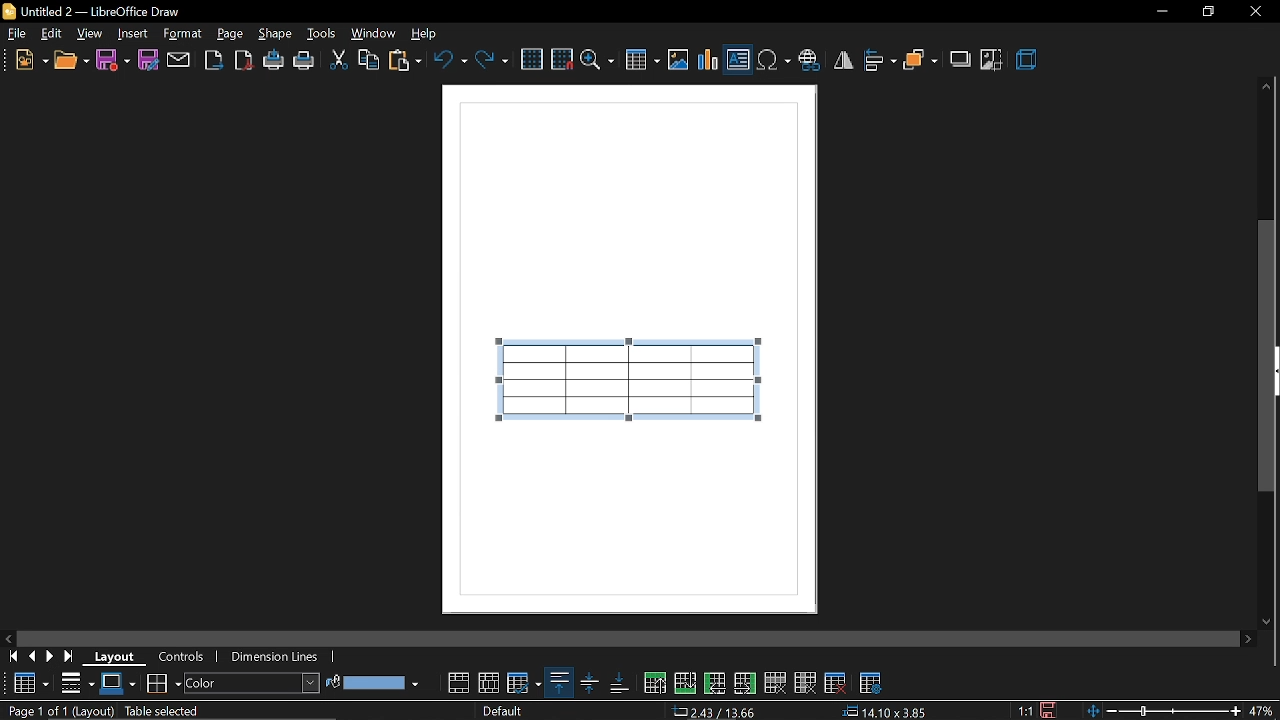 Image resolution: width=1280 pixels, height=720 pixels. Describe the element at coordinates (186, 659) in the screenshot. I see `controls` at that location.